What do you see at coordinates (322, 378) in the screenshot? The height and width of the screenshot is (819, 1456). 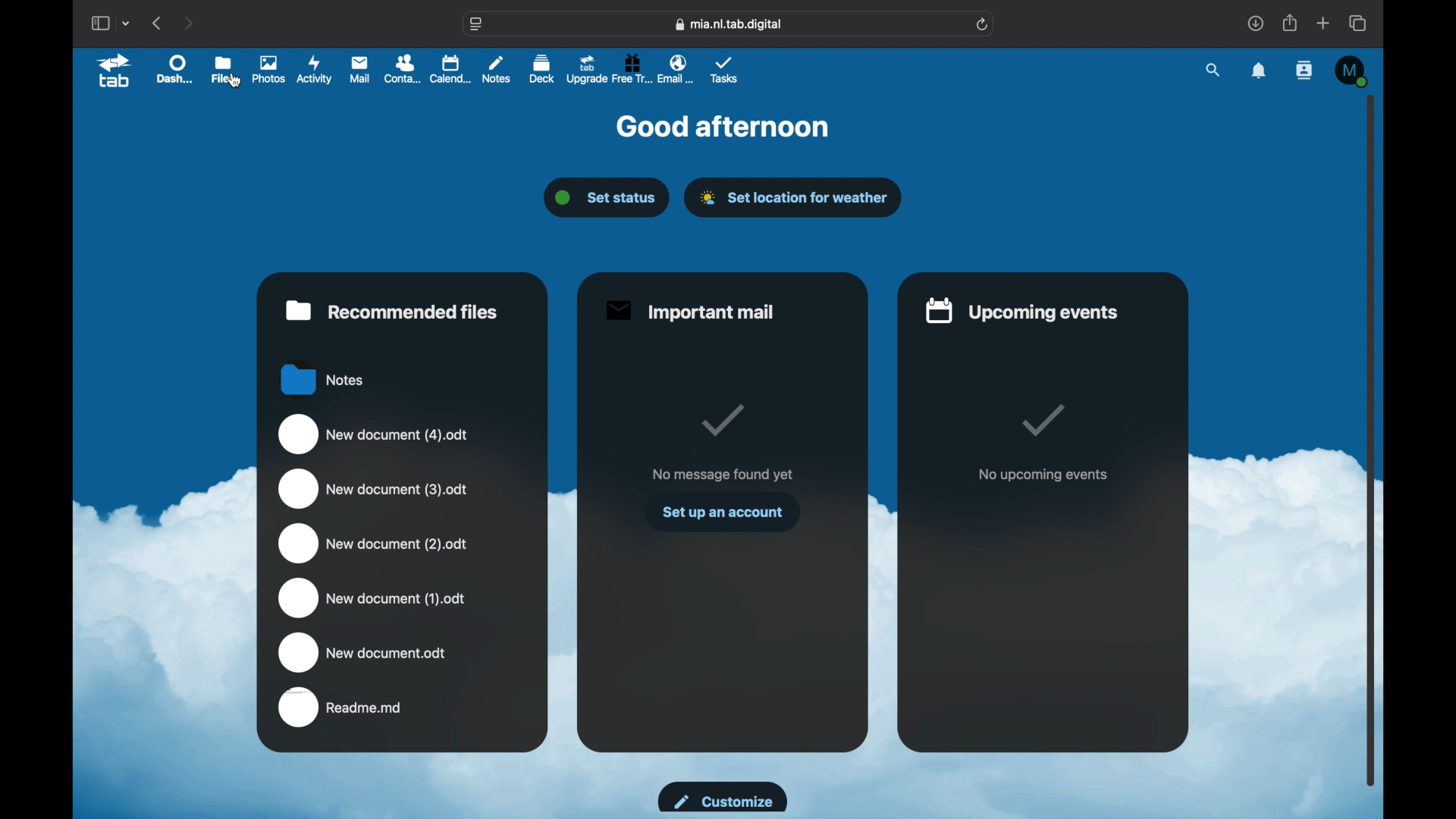 I see `notes` at bounding box center [322, 378].